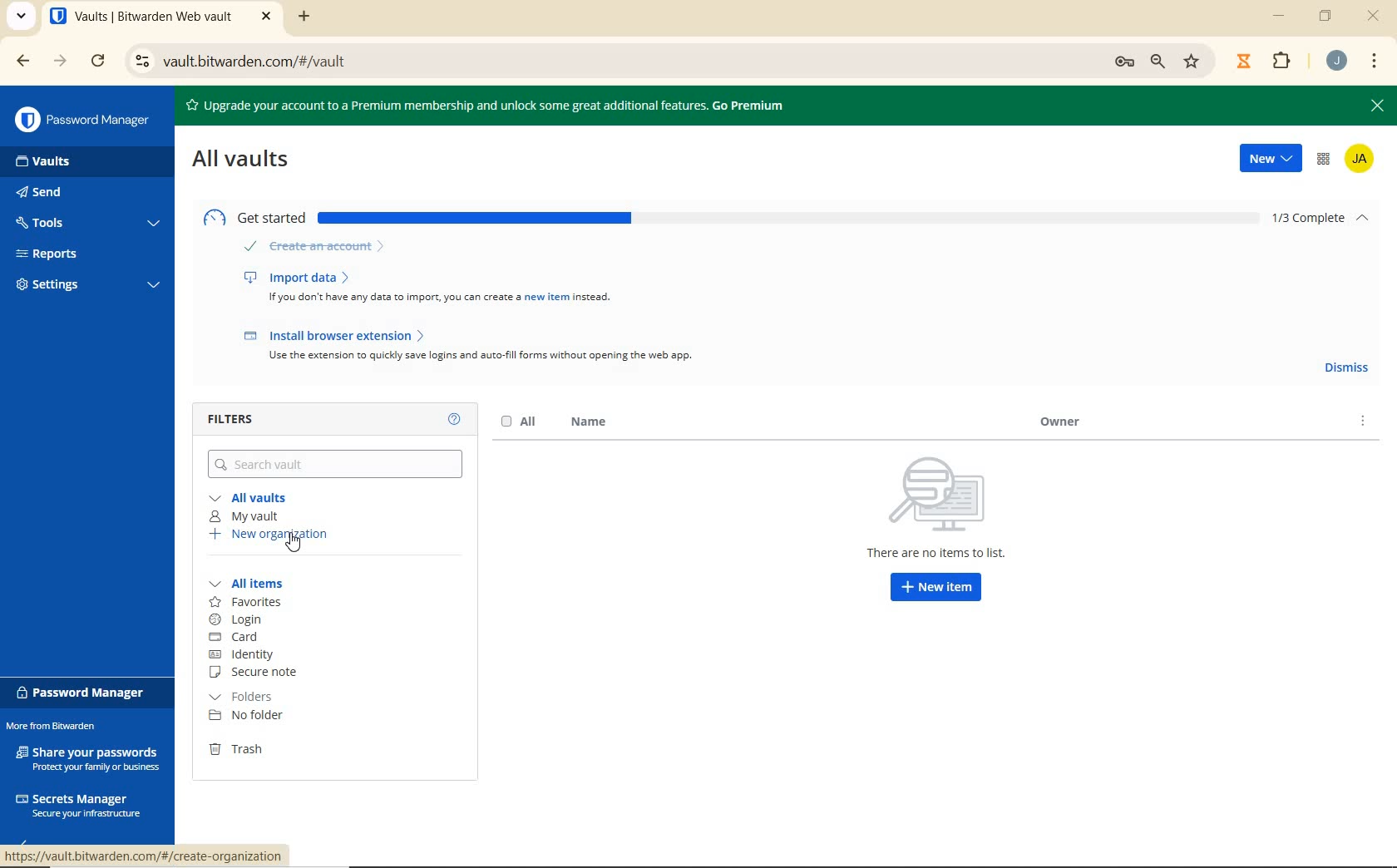 This screenshot has width=1397, height=868. Describe the element at coordinates (1243, 59) in the screenshot. I see `JIBBLE` at that location.